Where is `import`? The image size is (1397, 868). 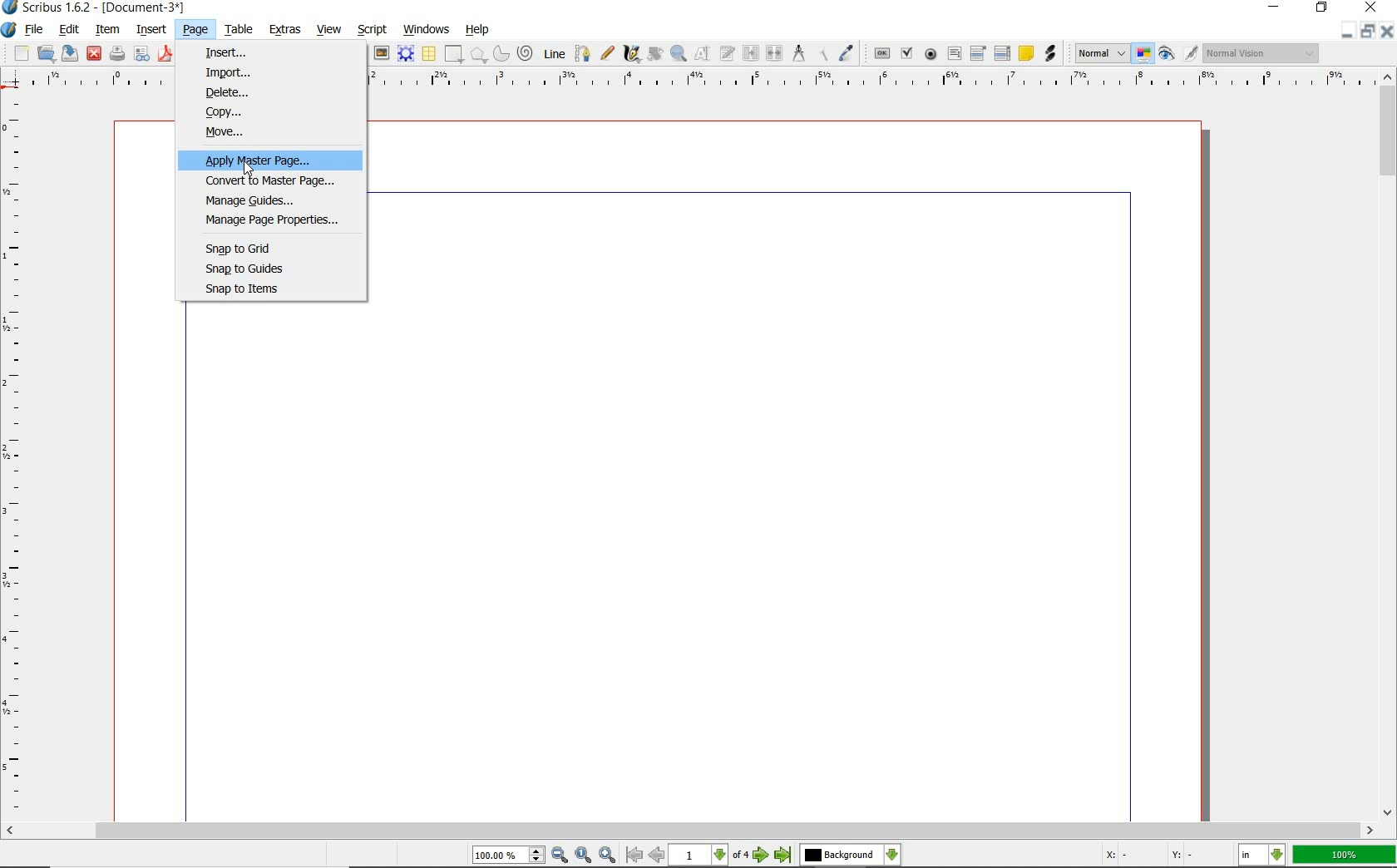
import is located at coordinates (230, 72).